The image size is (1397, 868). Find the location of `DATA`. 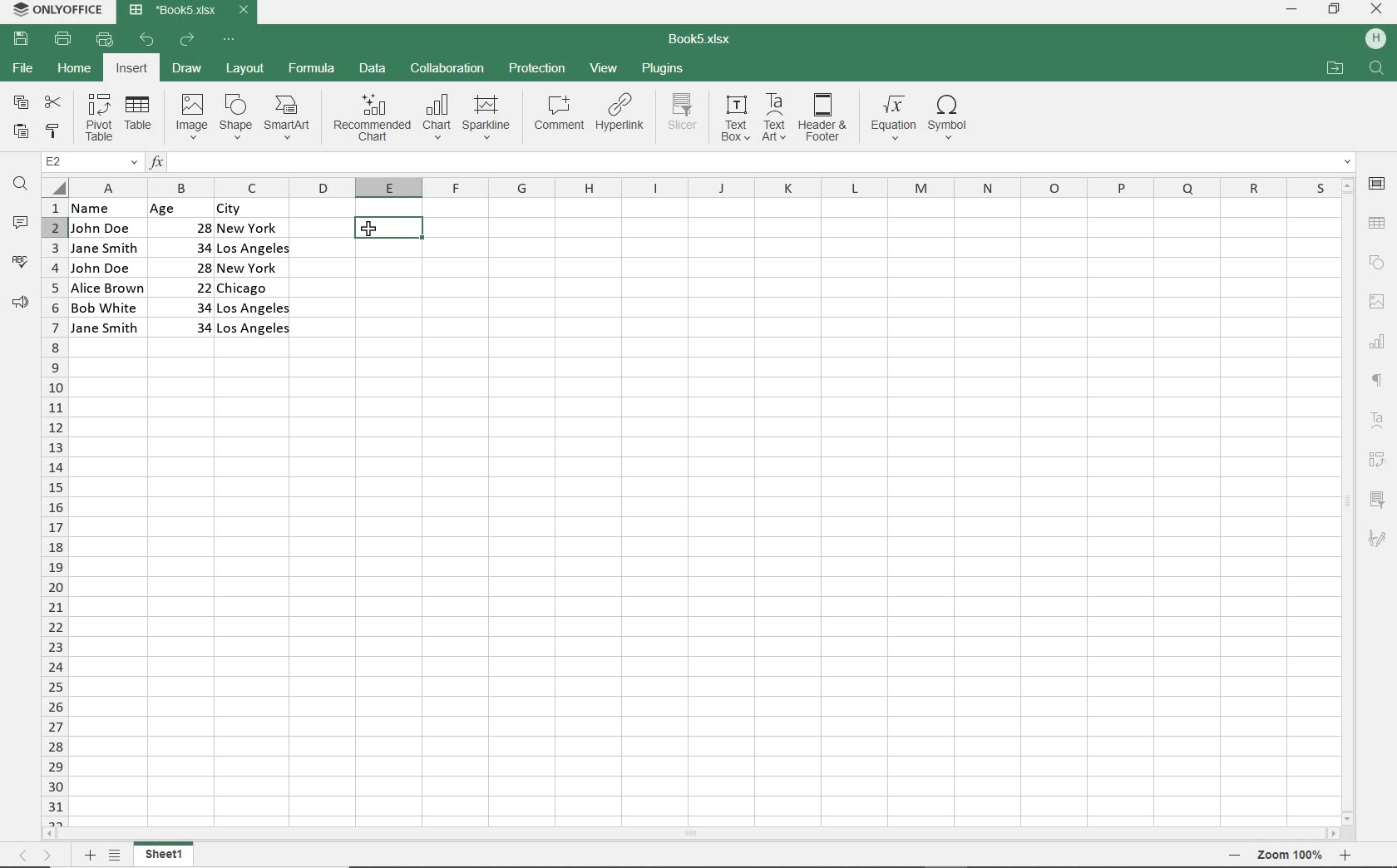

DATA is located at coordinates (375, 68).